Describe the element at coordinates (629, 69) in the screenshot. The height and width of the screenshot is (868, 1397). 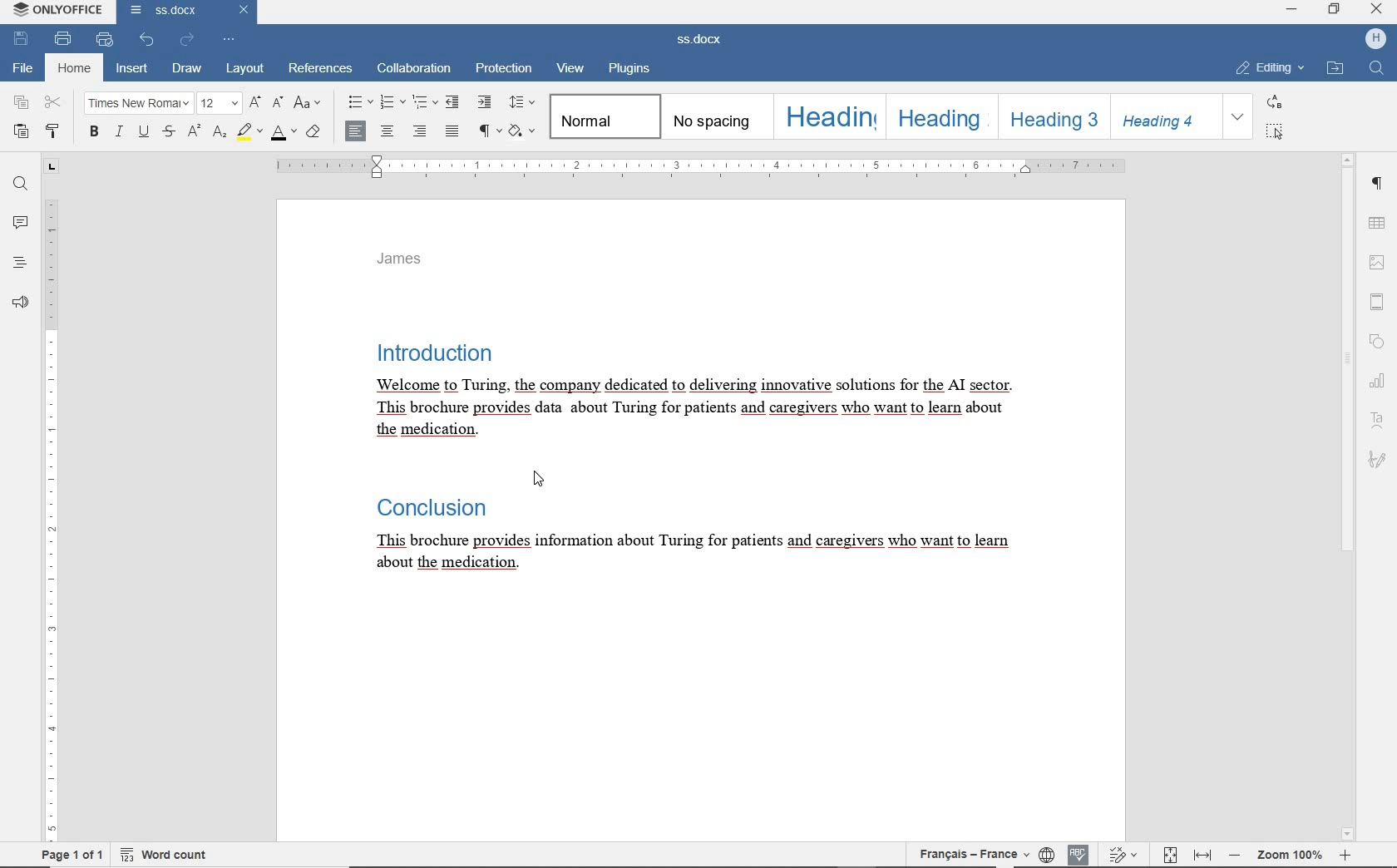
I see `PLUGINS` at that location.